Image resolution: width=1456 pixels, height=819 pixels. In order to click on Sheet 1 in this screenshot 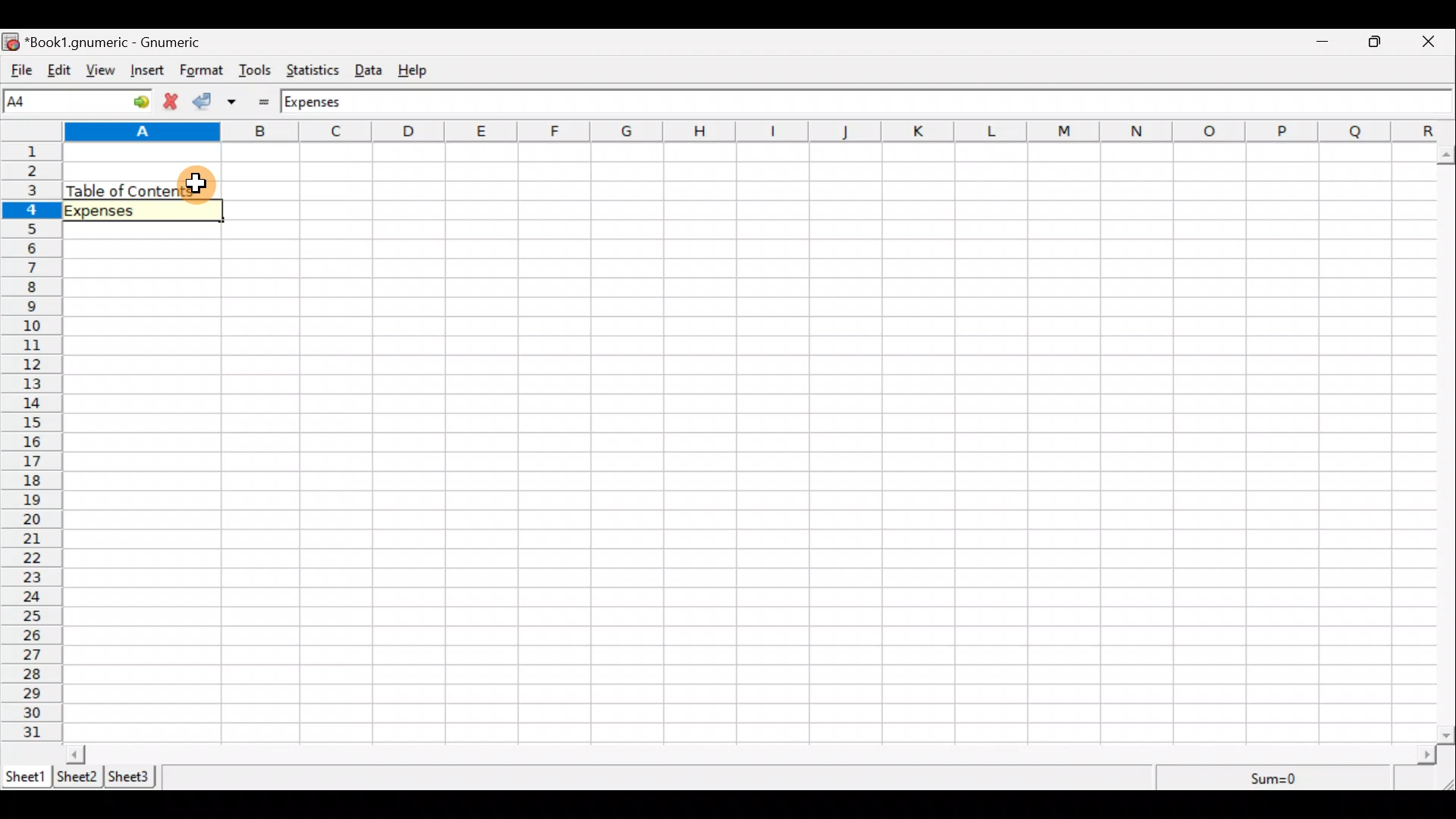, I will do `click(26, 775)`.